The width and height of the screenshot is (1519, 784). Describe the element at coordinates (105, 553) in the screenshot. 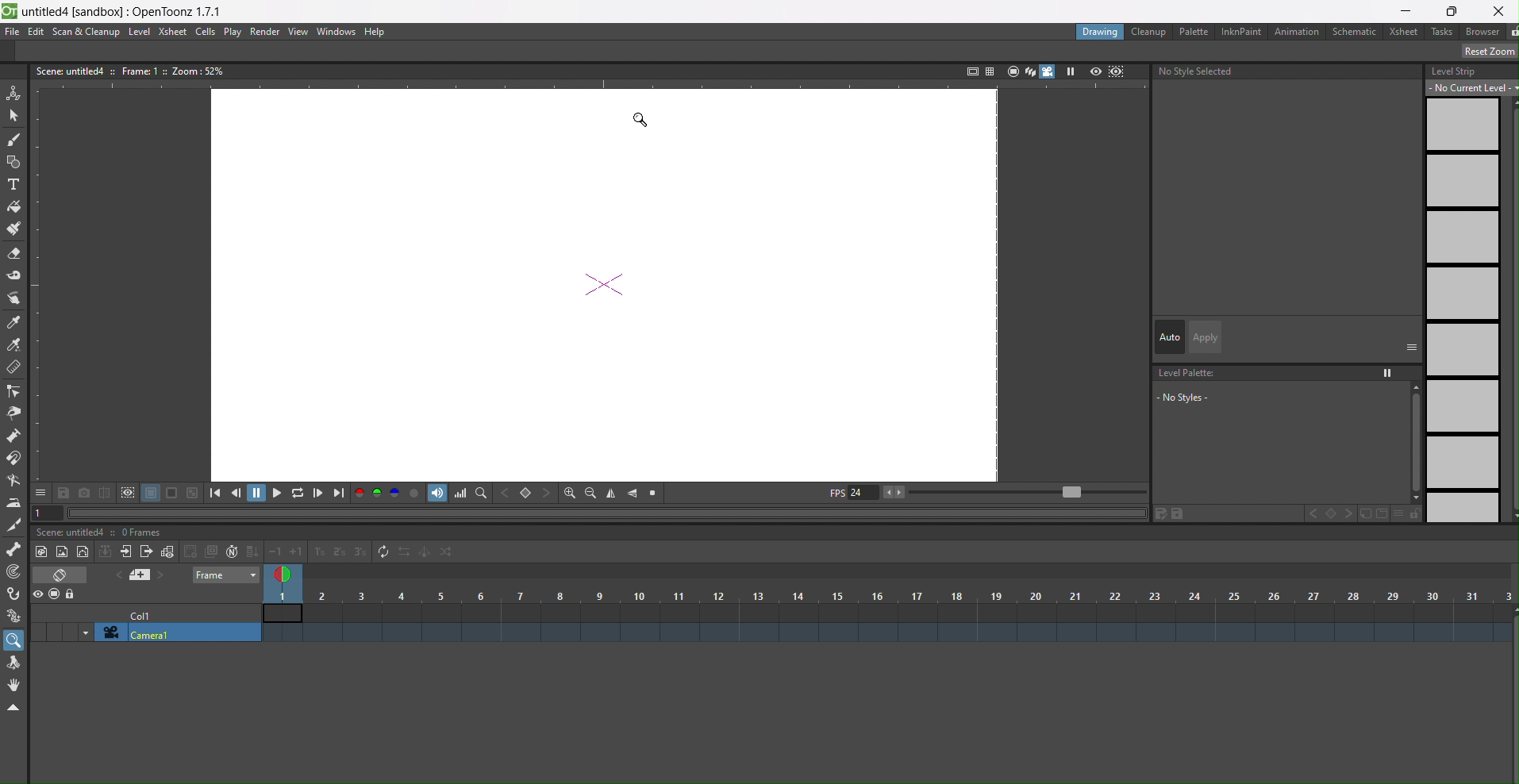

I see `icon` at that location.